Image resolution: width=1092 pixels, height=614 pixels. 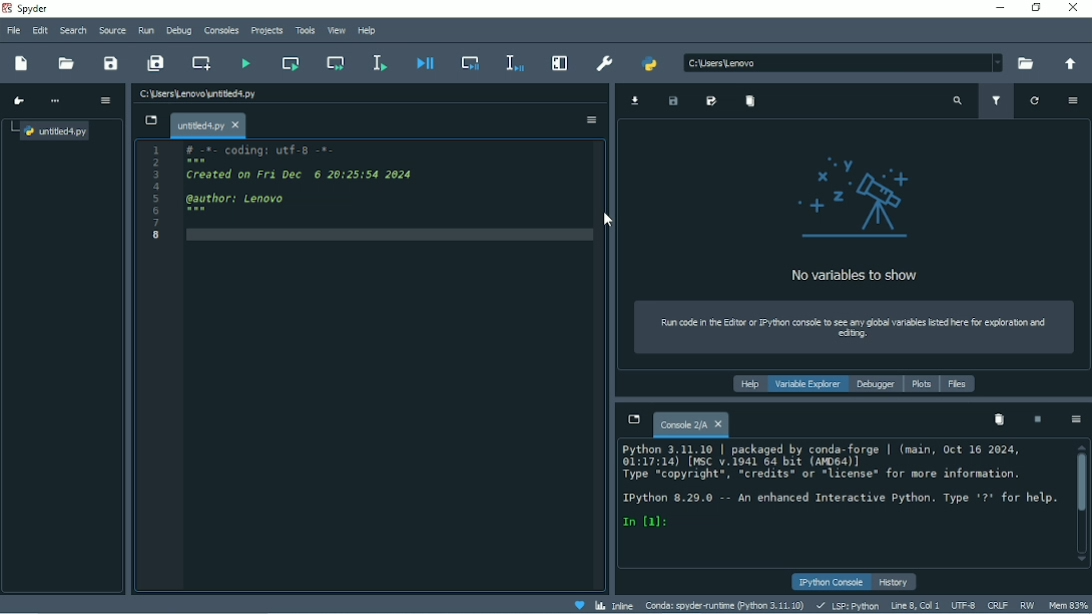 I want to click on Browse a working directory, so click(x=1025, y=63).